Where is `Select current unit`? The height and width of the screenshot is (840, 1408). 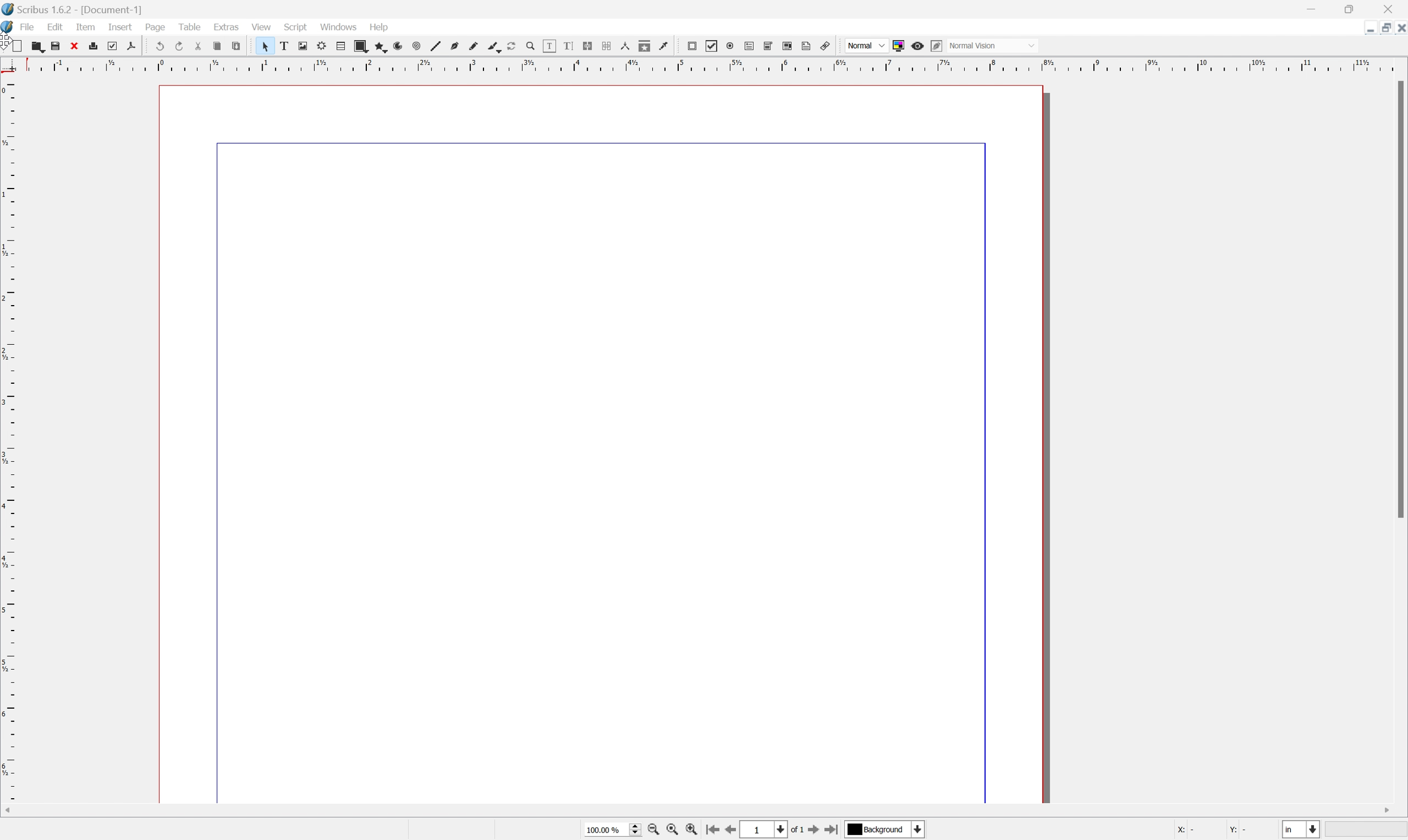 Select current unit is located at coordinates (1300, 829).